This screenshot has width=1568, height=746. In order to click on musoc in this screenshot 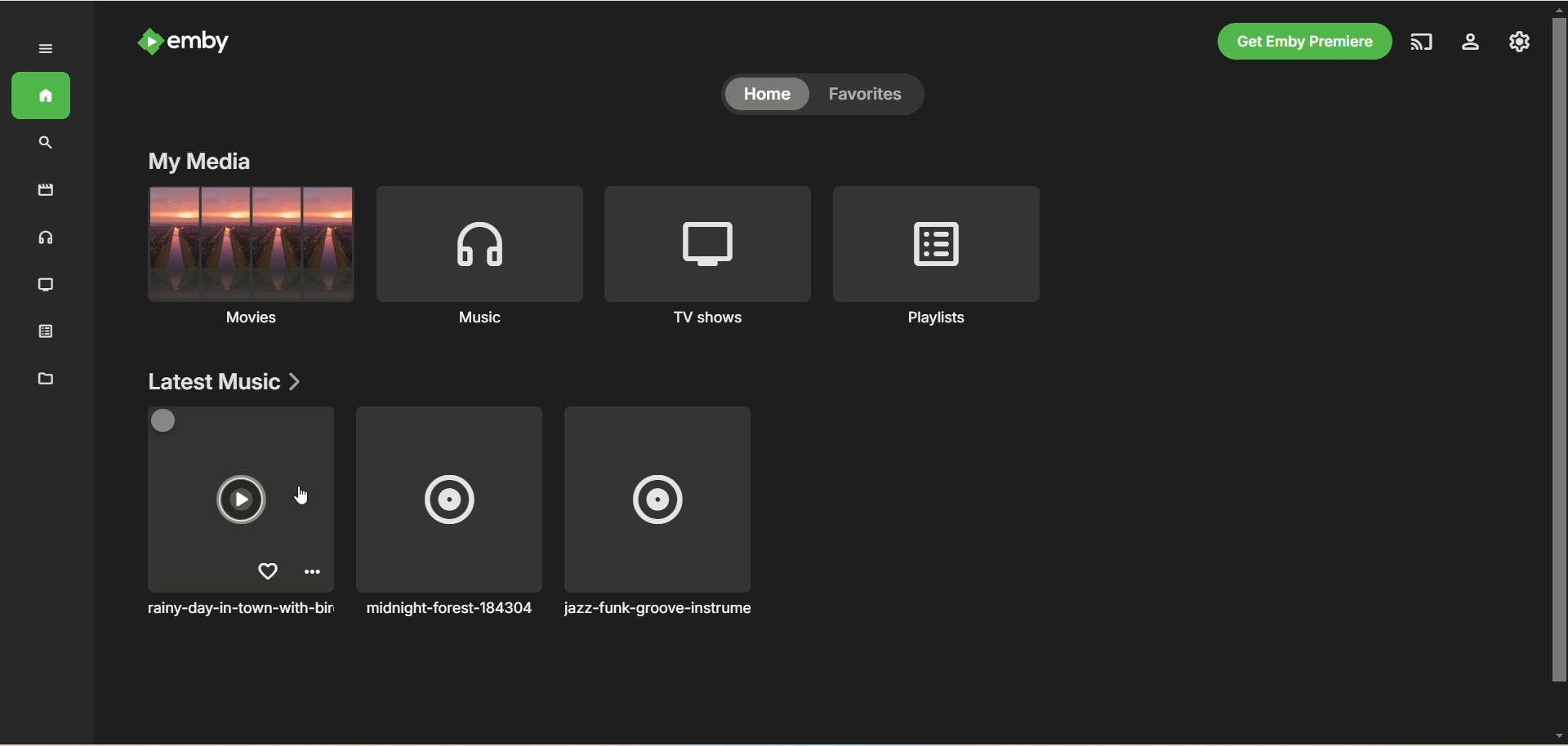, I will do `click(46, 238)`.